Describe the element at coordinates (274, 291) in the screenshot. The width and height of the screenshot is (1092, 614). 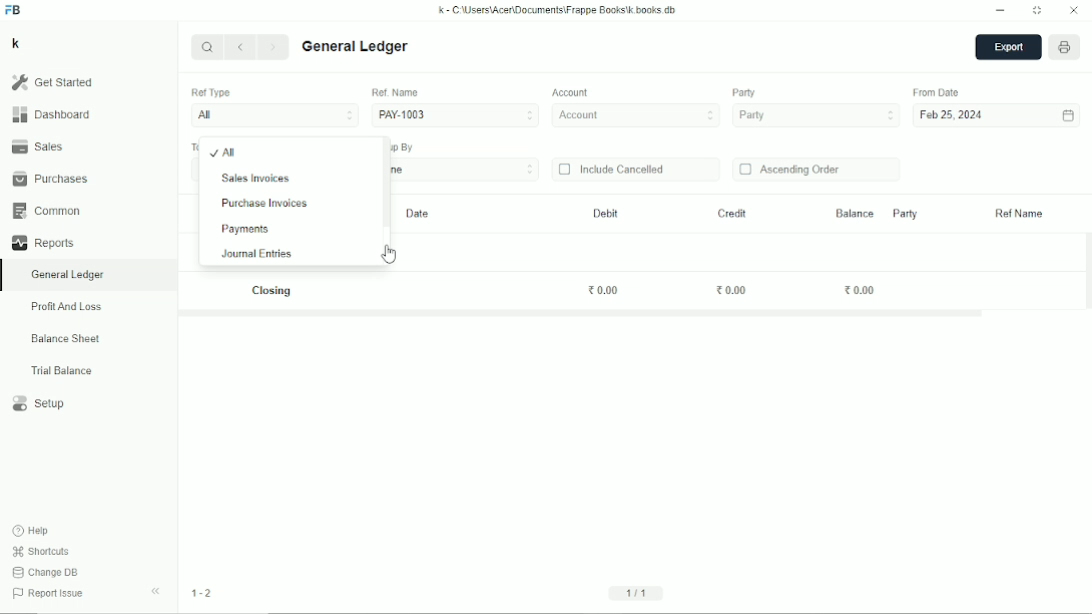
I see `Closing` at that location.